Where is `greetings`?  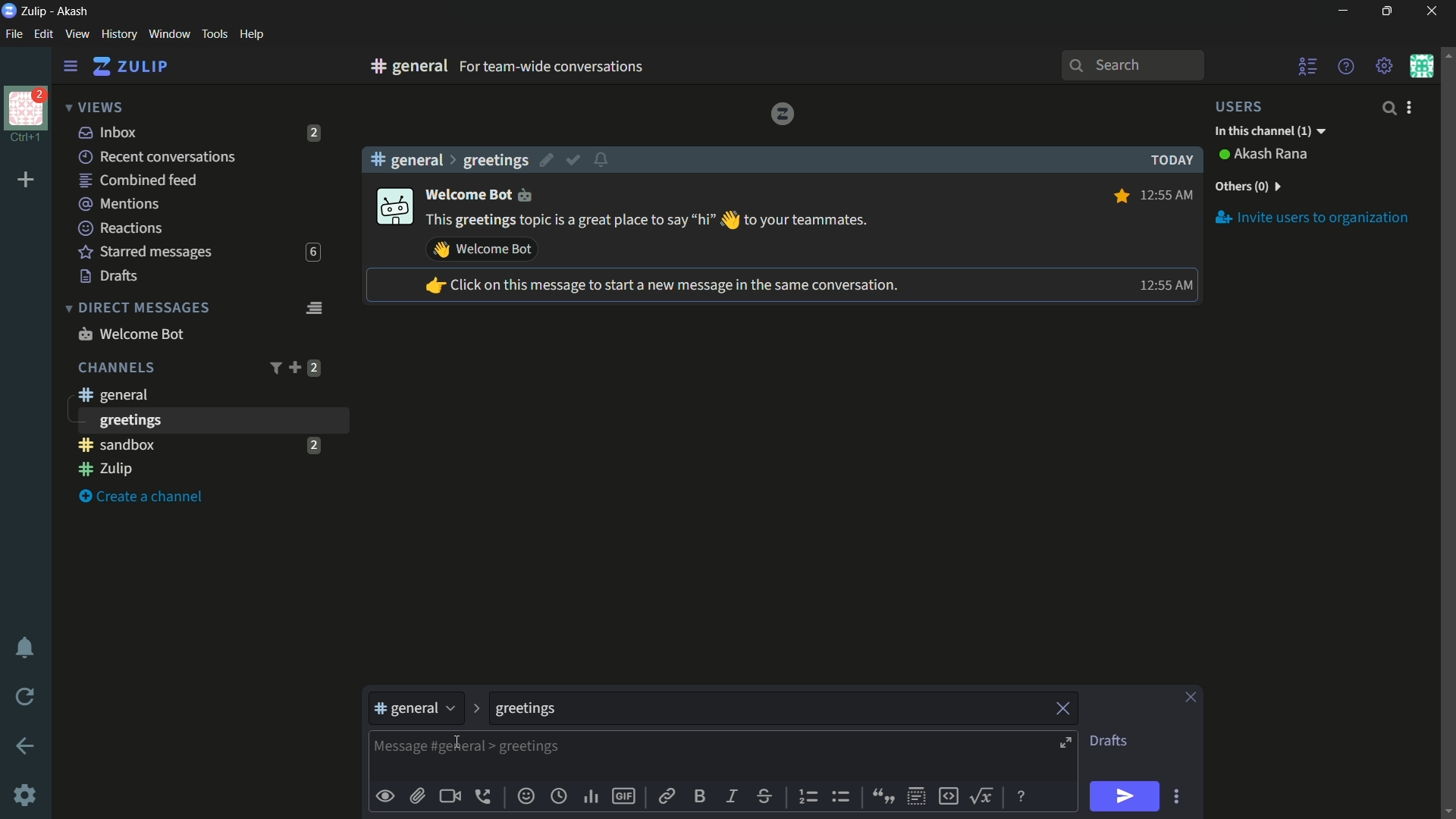 greetings is located at coordinates (495, 160).